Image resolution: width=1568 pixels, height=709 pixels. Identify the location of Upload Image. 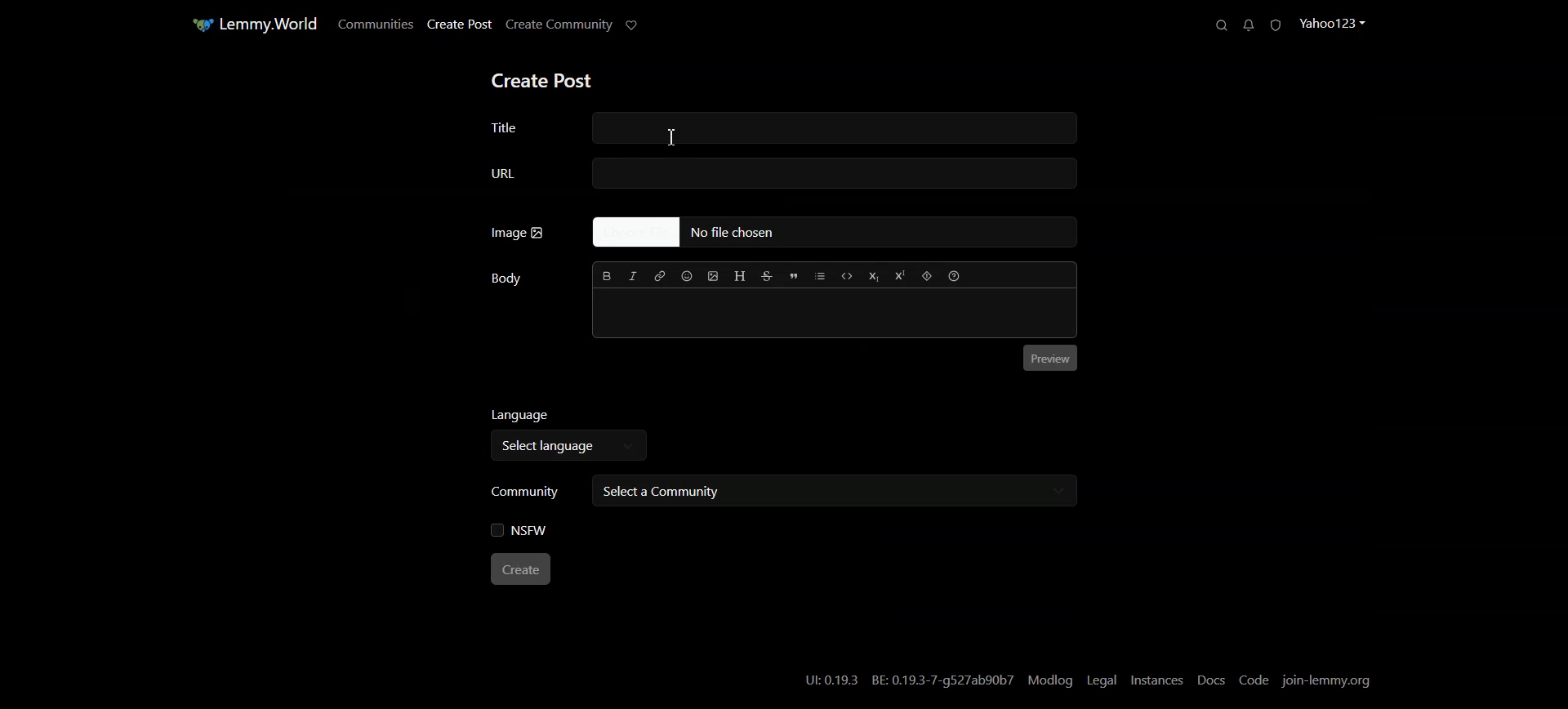
(714, 276).